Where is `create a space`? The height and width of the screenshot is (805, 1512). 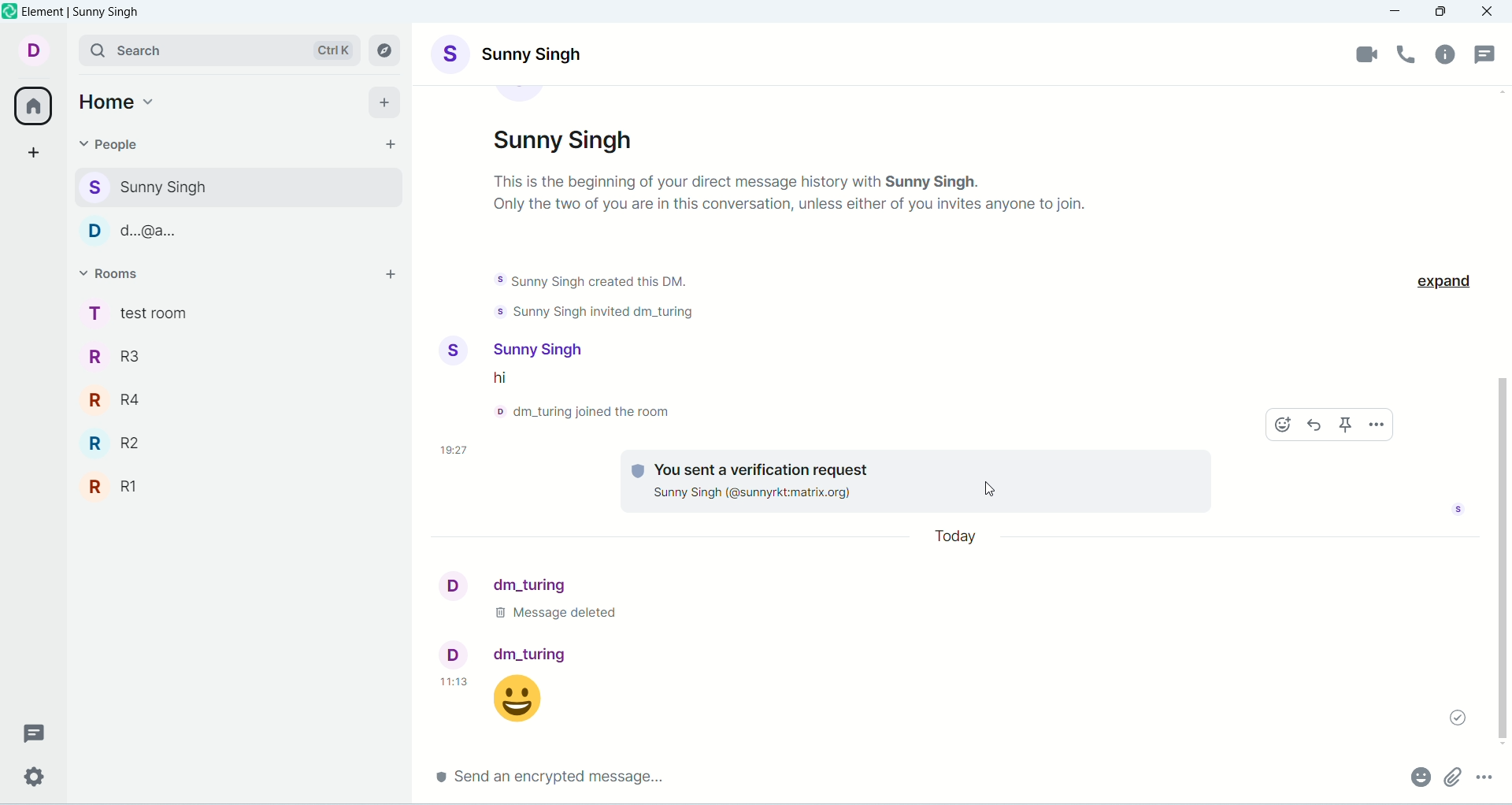 create a space is located at coordinates (35, 154).